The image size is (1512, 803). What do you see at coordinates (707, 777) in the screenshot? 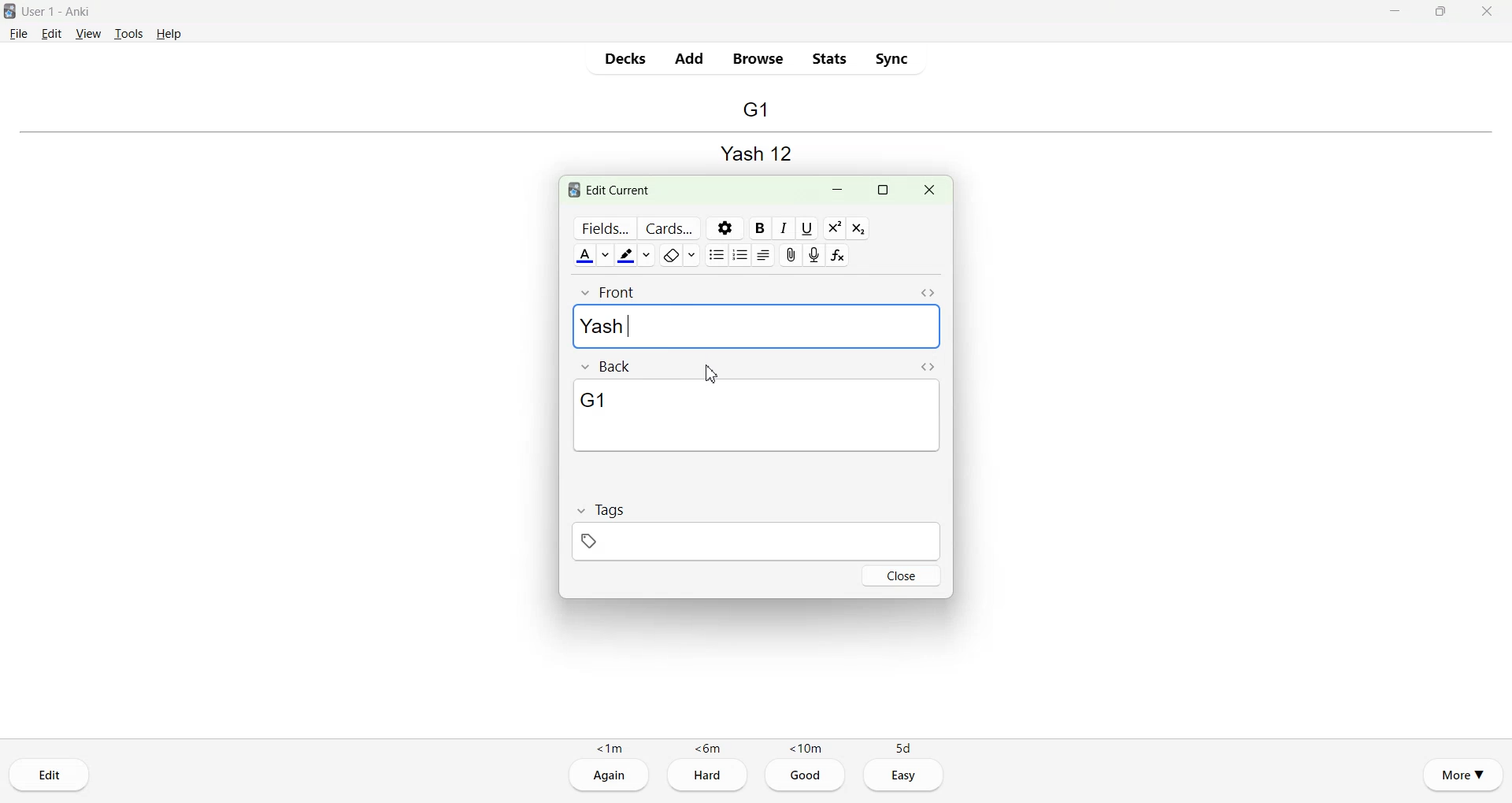
I see `Hard` at bounding box center [707, 777].